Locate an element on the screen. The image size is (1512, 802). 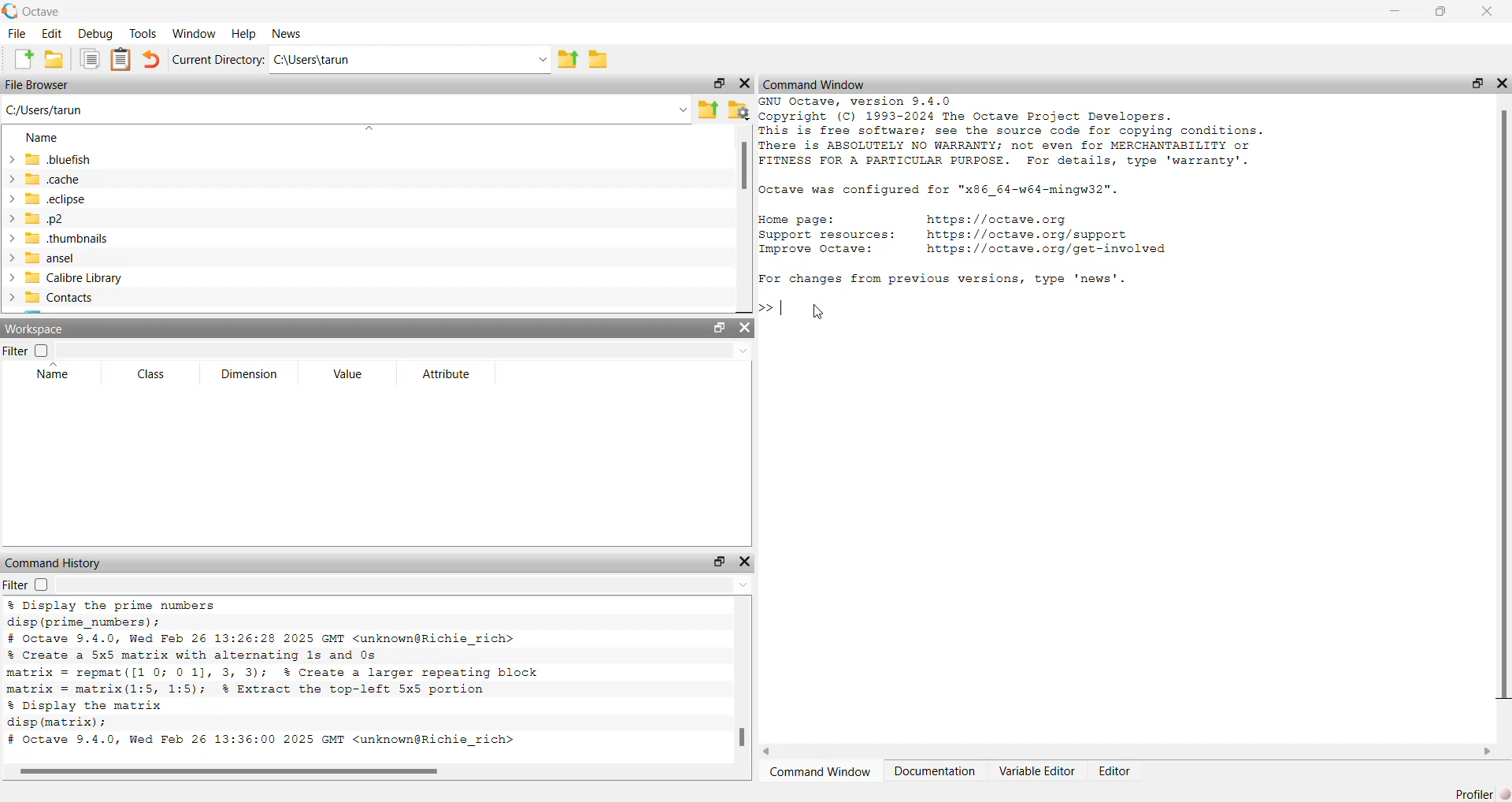
filter input field is located at coordinates (406, 587).